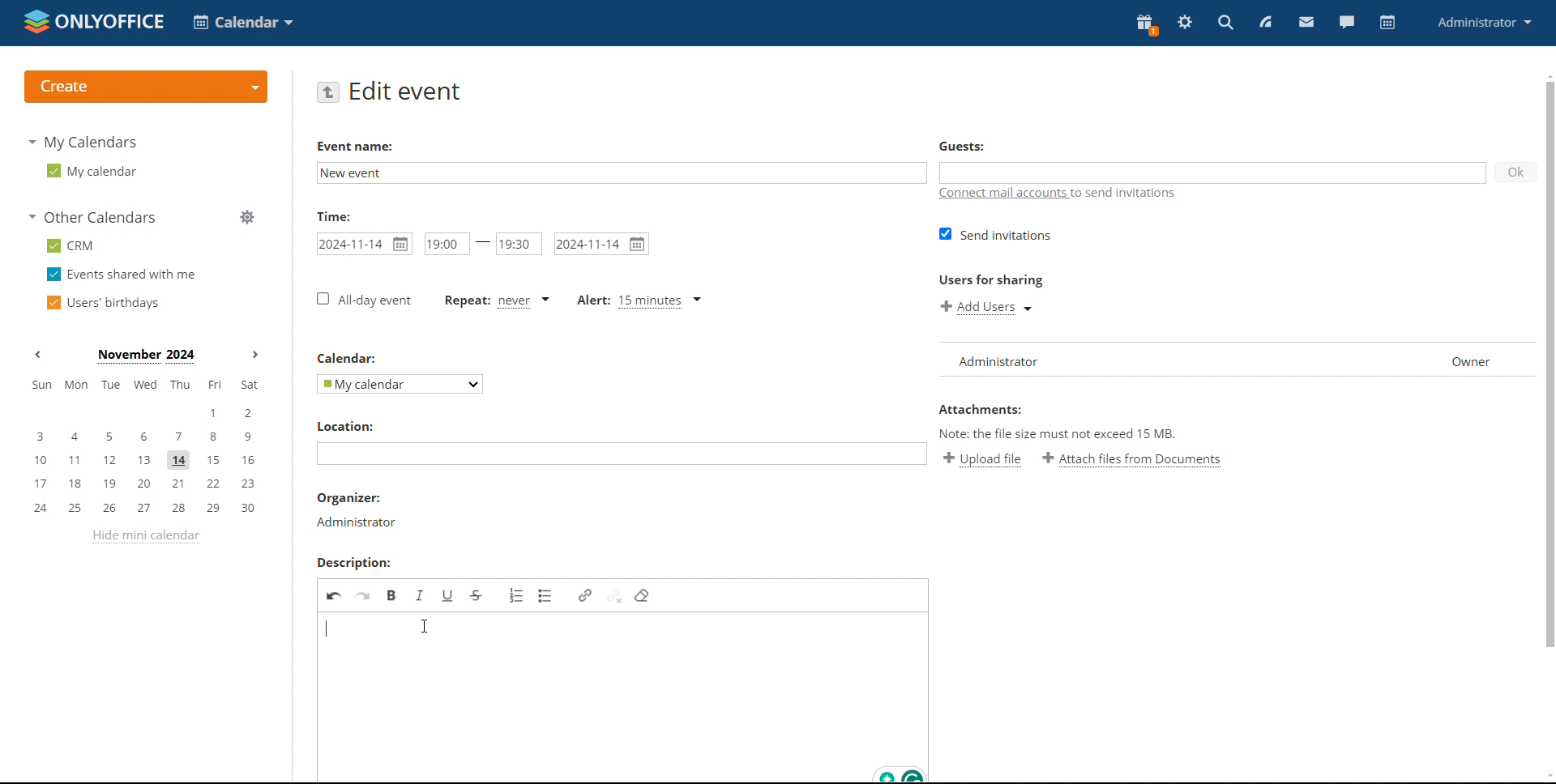  I want to click on calendar, so click(1387, 23).